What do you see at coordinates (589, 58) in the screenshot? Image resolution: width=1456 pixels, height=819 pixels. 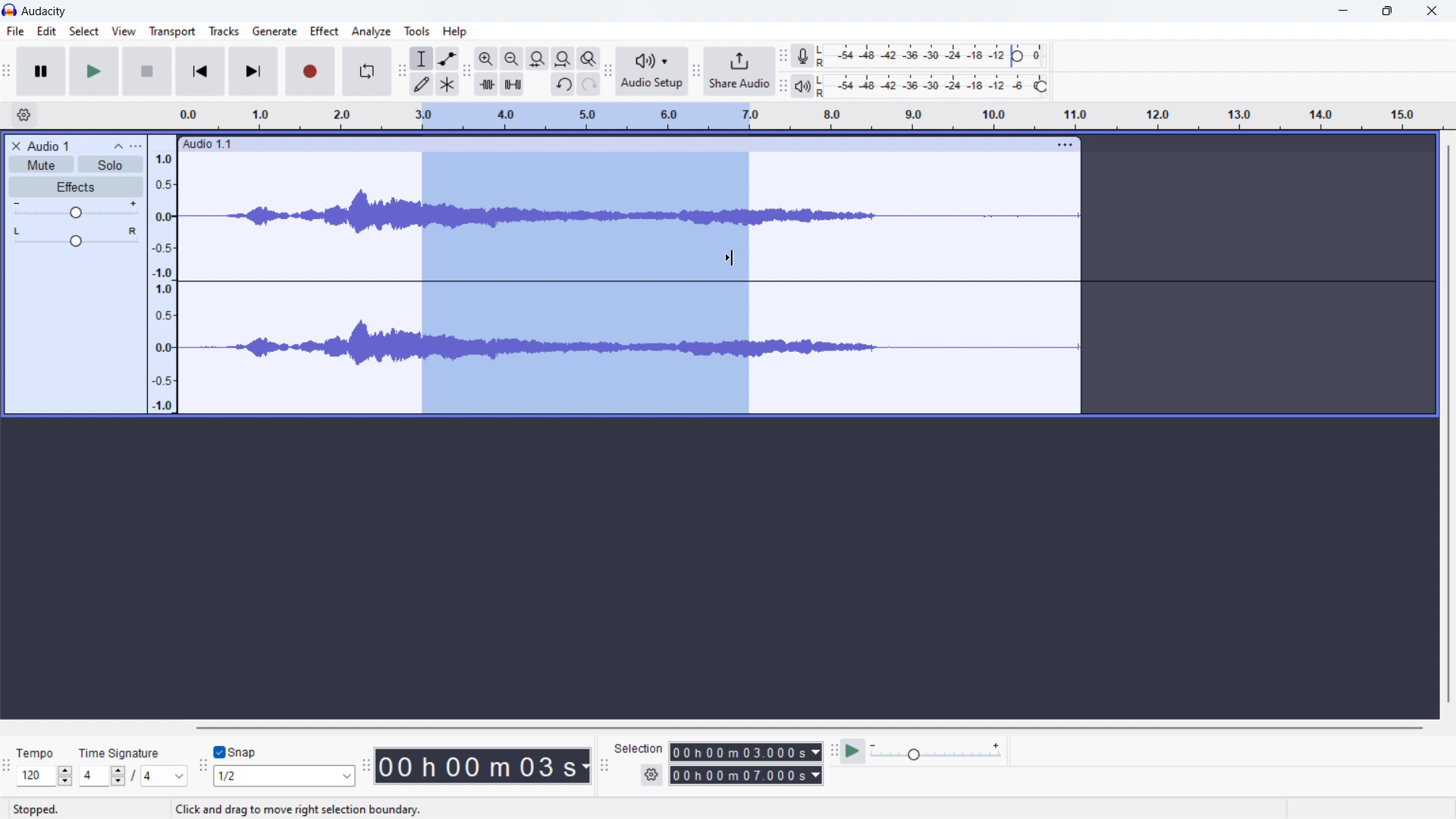 I see `zoom toggle` at bounding box center [589, 58].